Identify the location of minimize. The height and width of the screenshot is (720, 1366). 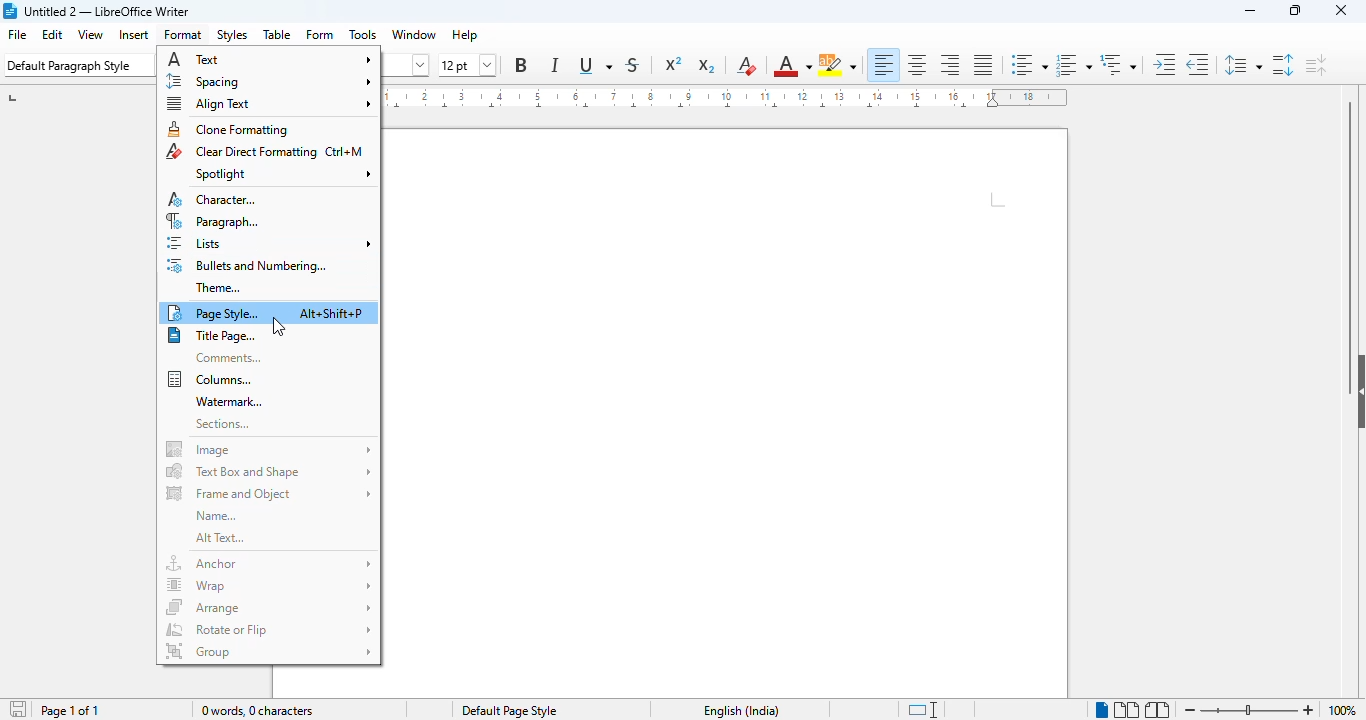
(1251, 11).